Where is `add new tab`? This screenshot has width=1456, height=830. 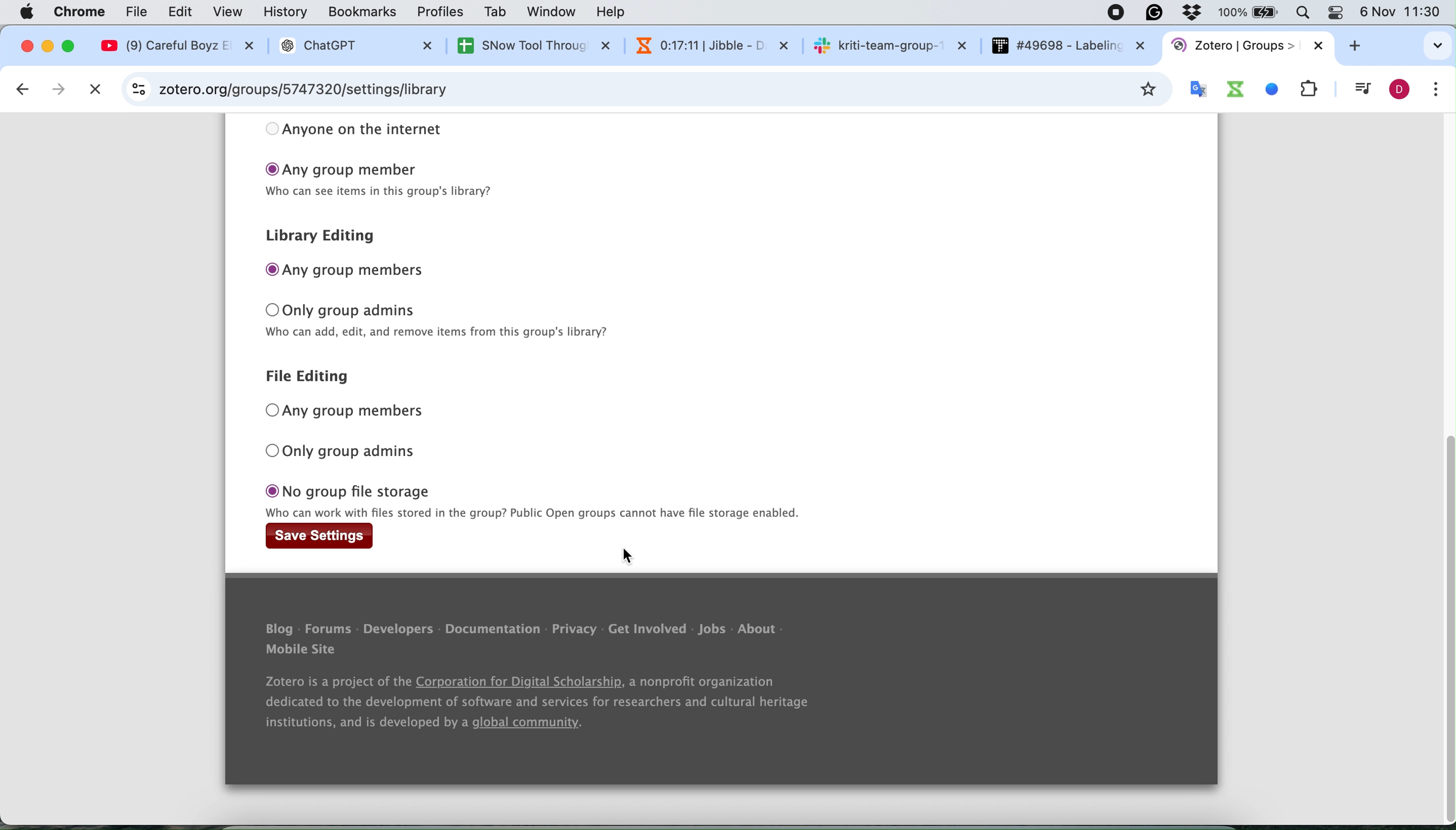 add new tab is located at coordinates (1362, 48).